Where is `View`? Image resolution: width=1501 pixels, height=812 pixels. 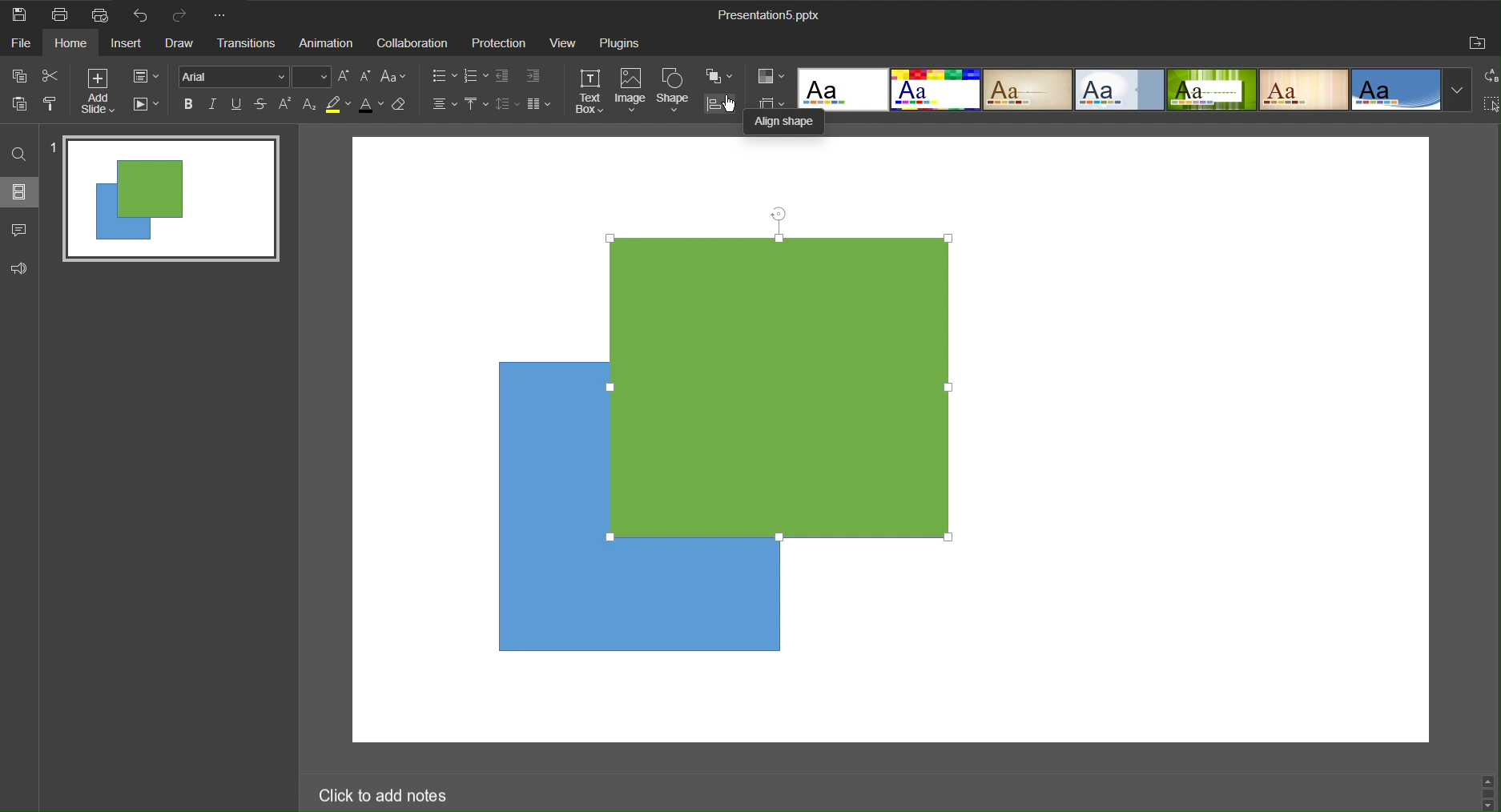 View is located at coordinates (565, 43).